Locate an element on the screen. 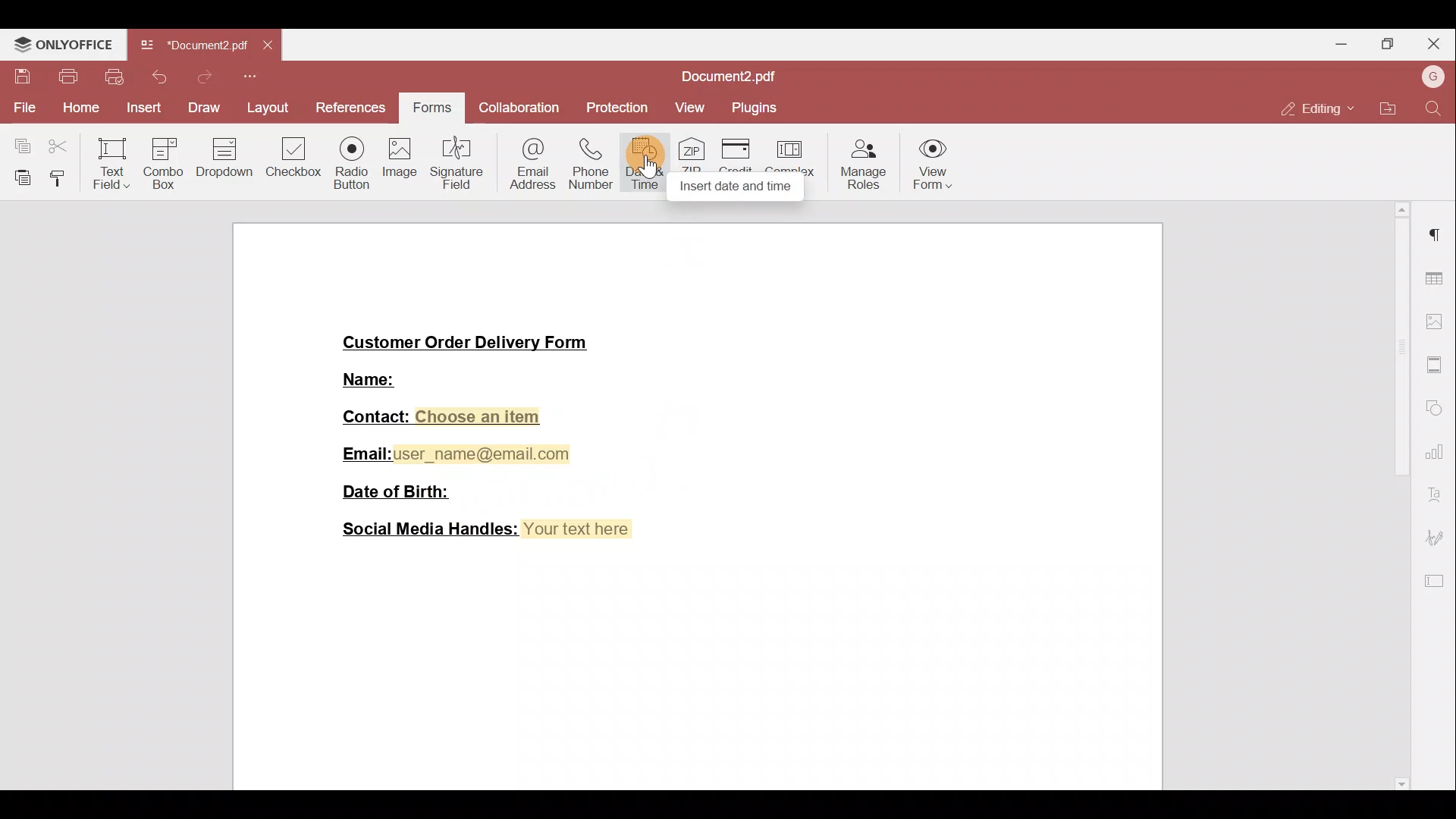 This screenshot has width=1456, height=819. Paste is located at coordinates (18, 174).